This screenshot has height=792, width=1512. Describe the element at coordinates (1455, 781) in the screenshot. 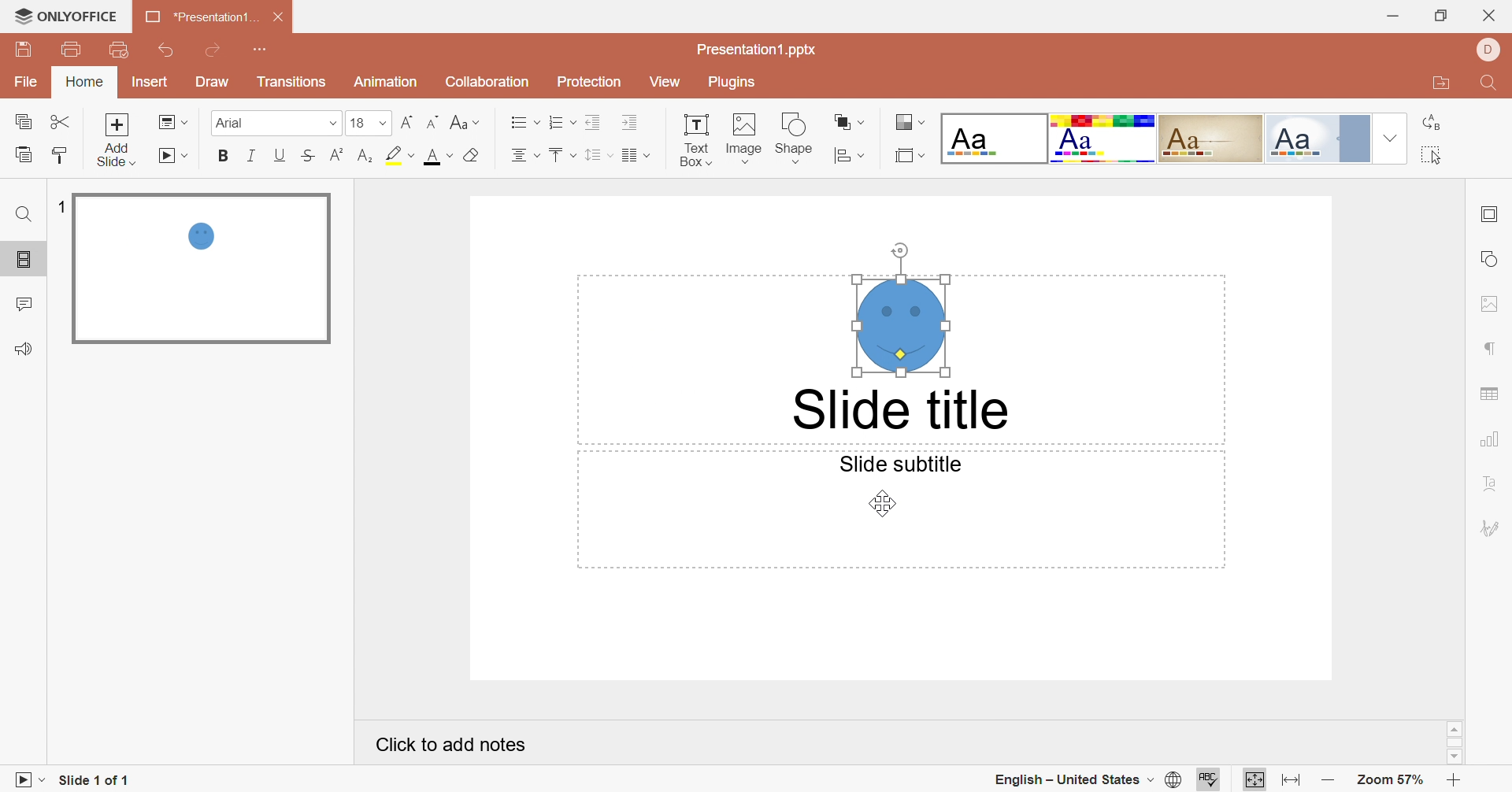

I see `Zoom in` at that location.